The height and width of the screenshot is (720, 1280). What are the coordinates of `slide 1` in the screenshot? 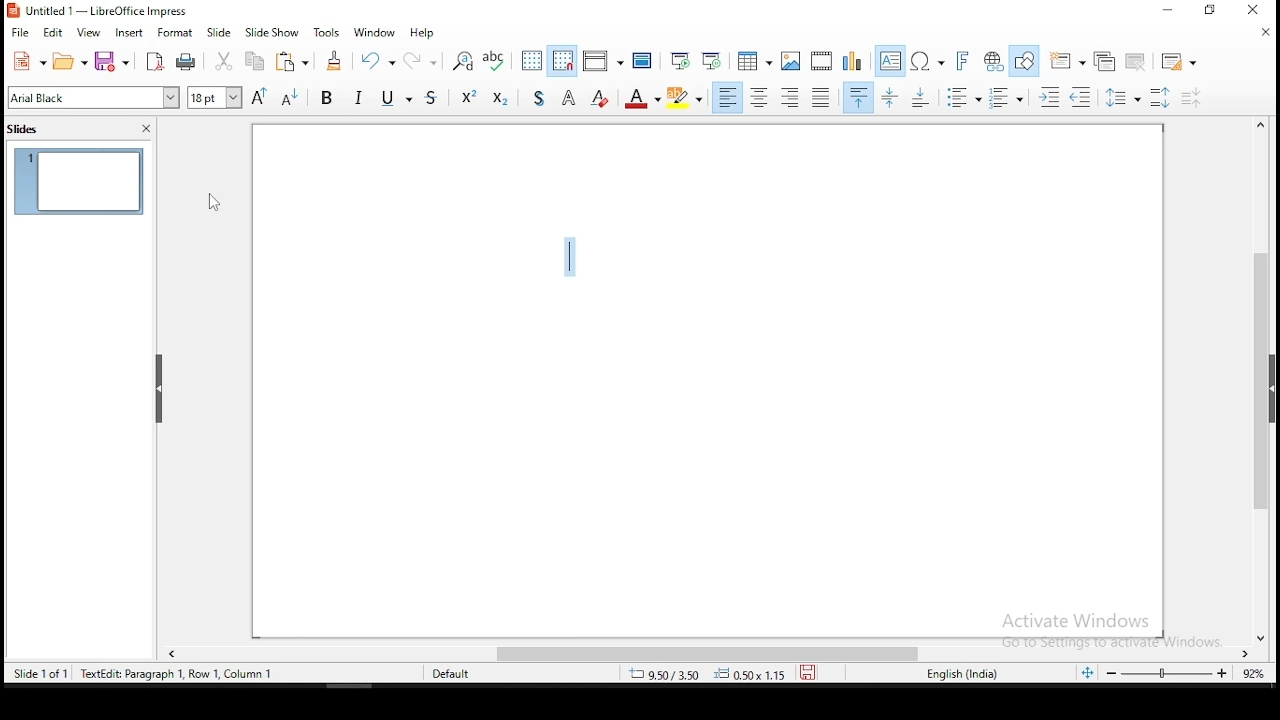 It's located at (79, 181).